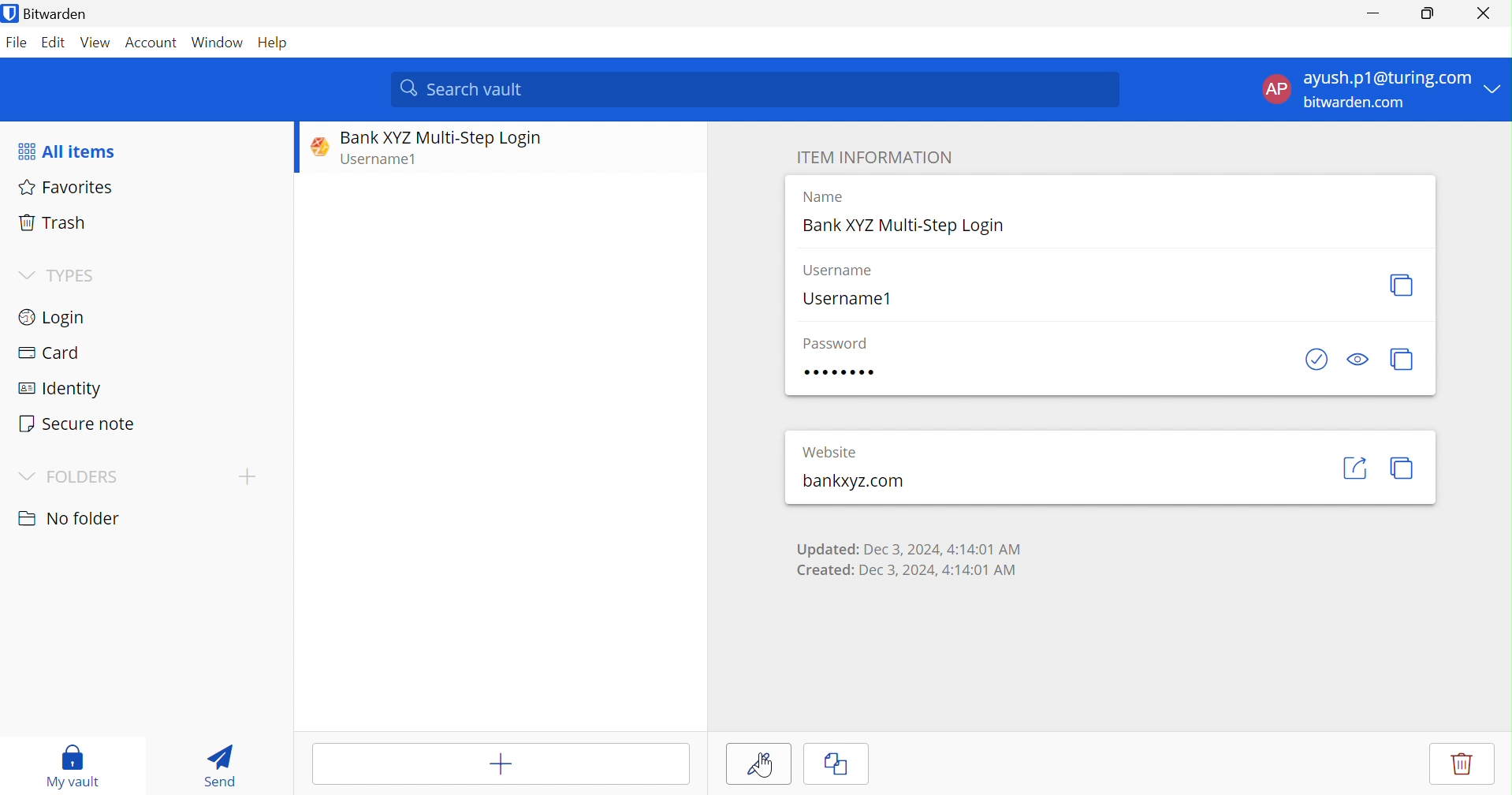 Image resolution: width=1512 pixels, height=795 pixels. What do you see at coordinates (441, 138) in the screenshot?
I see `Bank XYZ Multi-Step Login` at bounding box center [441, 138].